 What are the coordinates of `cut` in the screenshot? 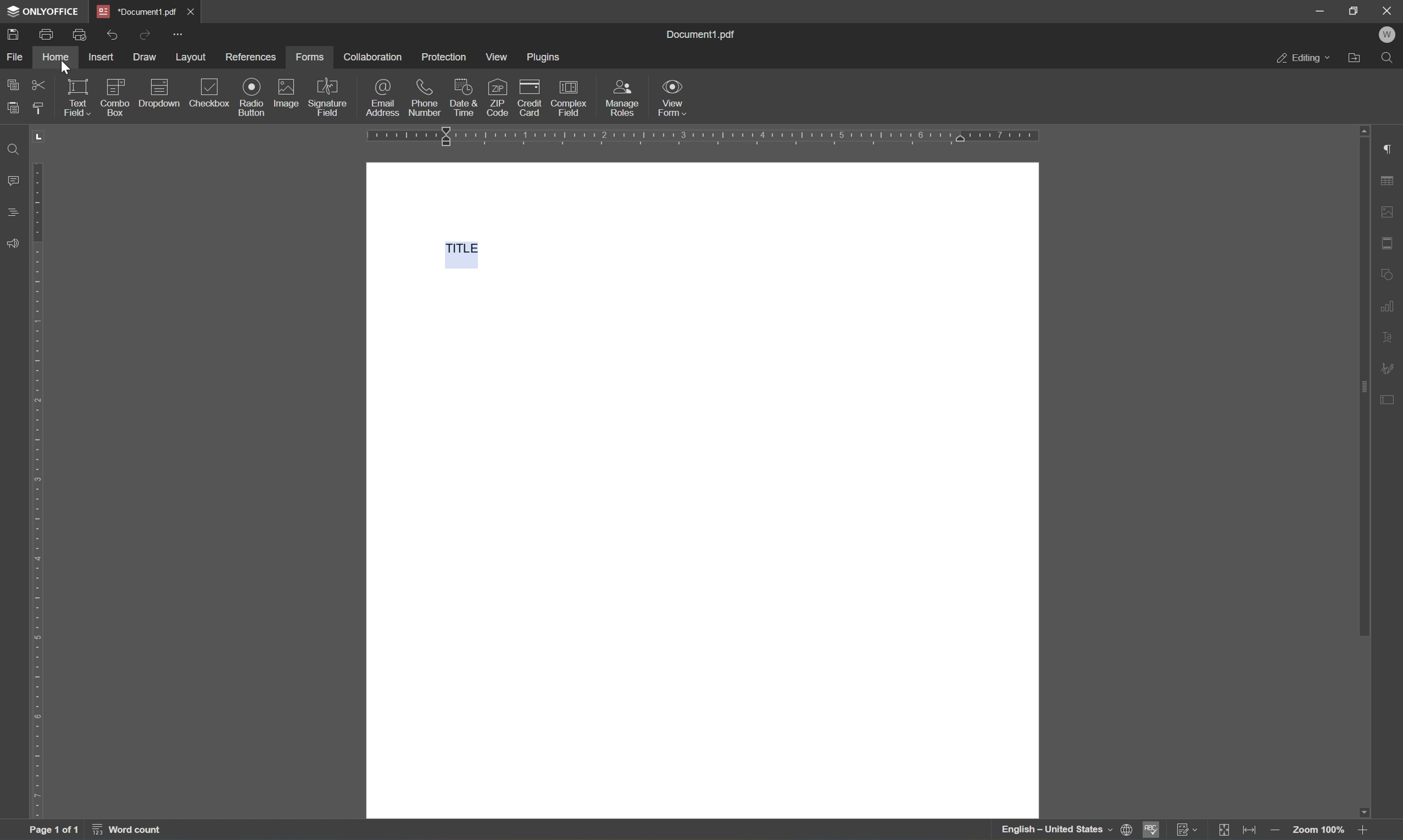 It's located at (41, 84).